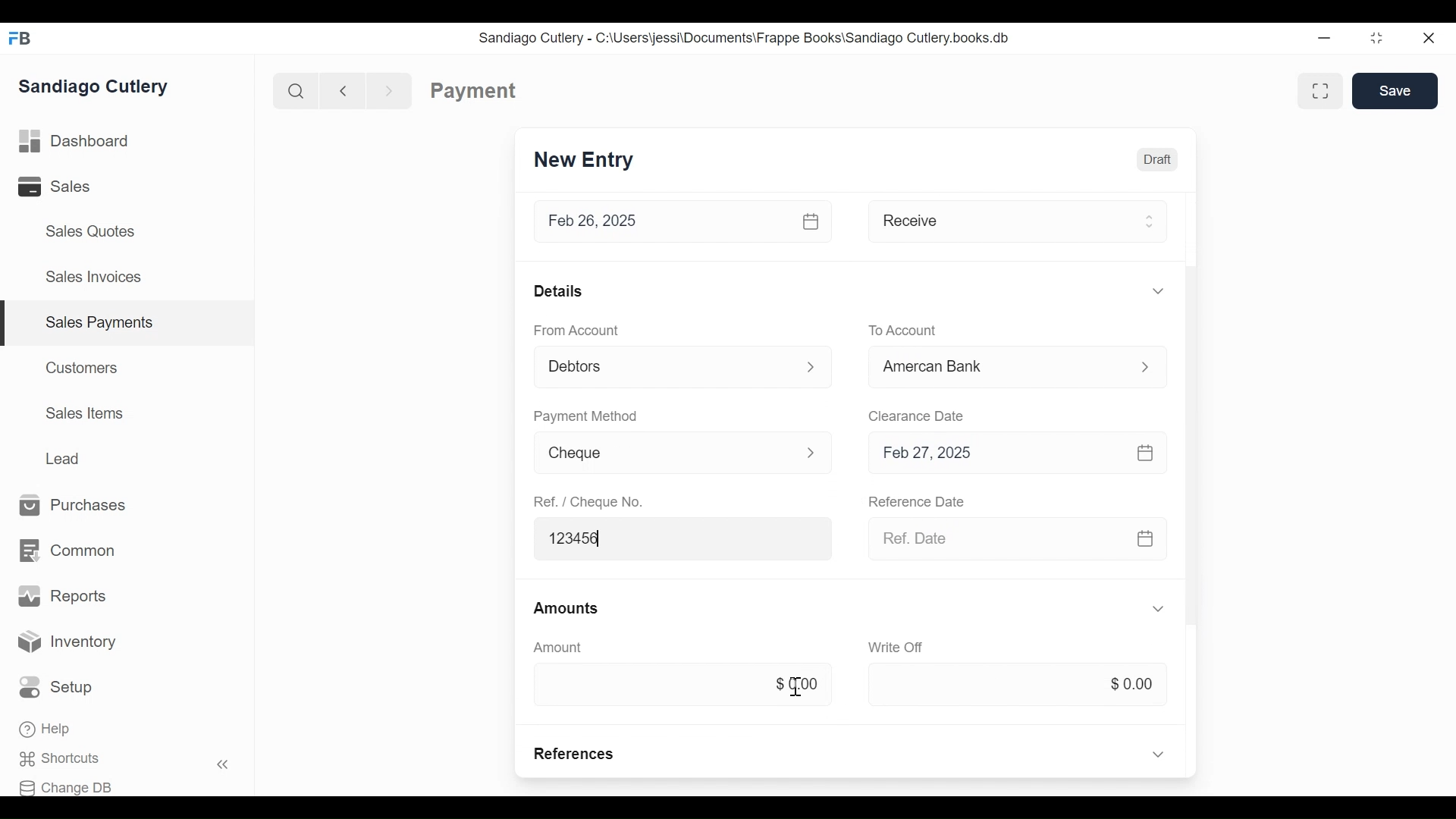  I want to click on Cash, so click(995, 366).